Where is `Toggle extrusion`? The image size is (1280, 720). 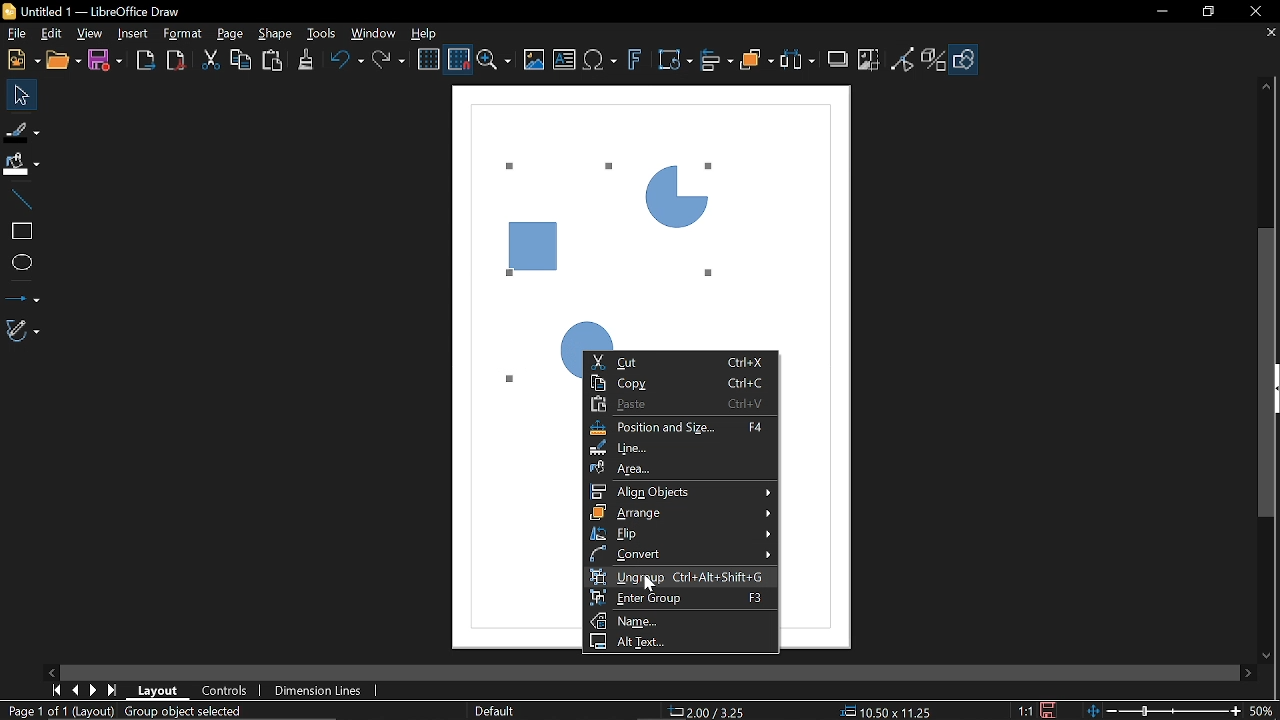 Toggle extrusion is located at coordinates (933, 62).